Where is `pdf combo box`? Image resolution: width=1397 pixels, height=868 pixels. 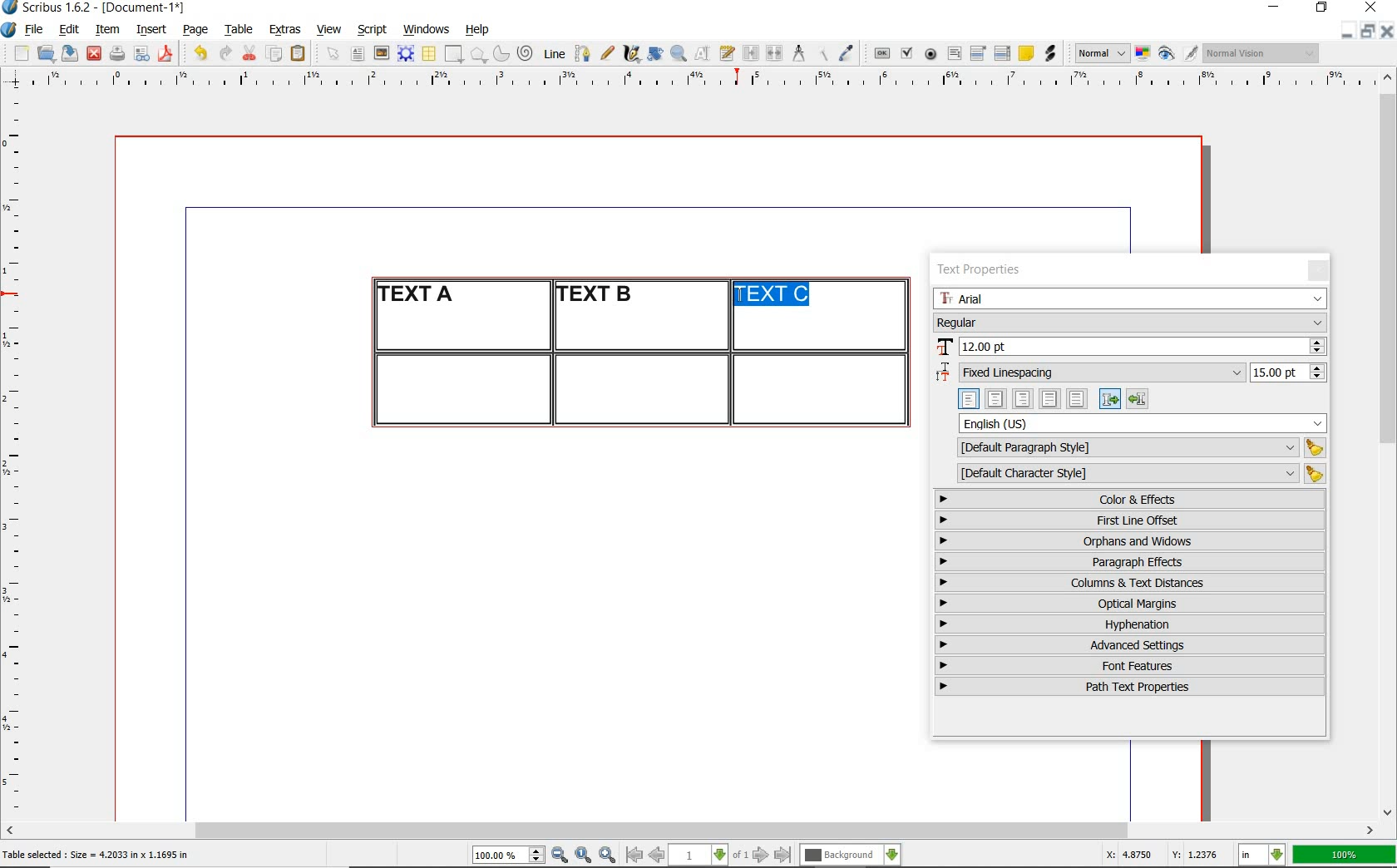 pdf combo box is located at coordinates (979, 52).